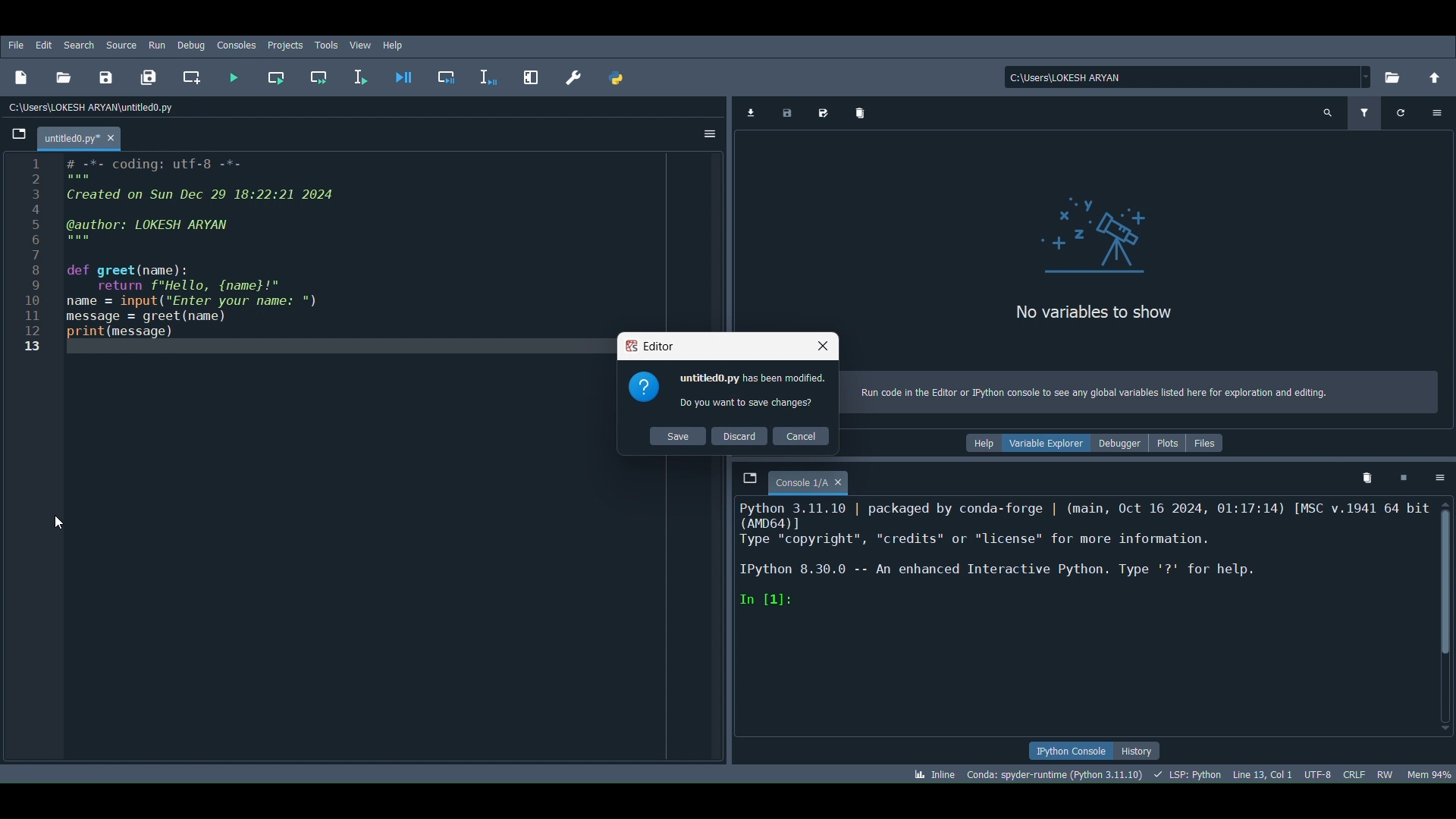 The height and width of the screenshot is (819, 1456). Describe the element at coordinates (674, 434) in the screenshot. I see `Save` at that location.